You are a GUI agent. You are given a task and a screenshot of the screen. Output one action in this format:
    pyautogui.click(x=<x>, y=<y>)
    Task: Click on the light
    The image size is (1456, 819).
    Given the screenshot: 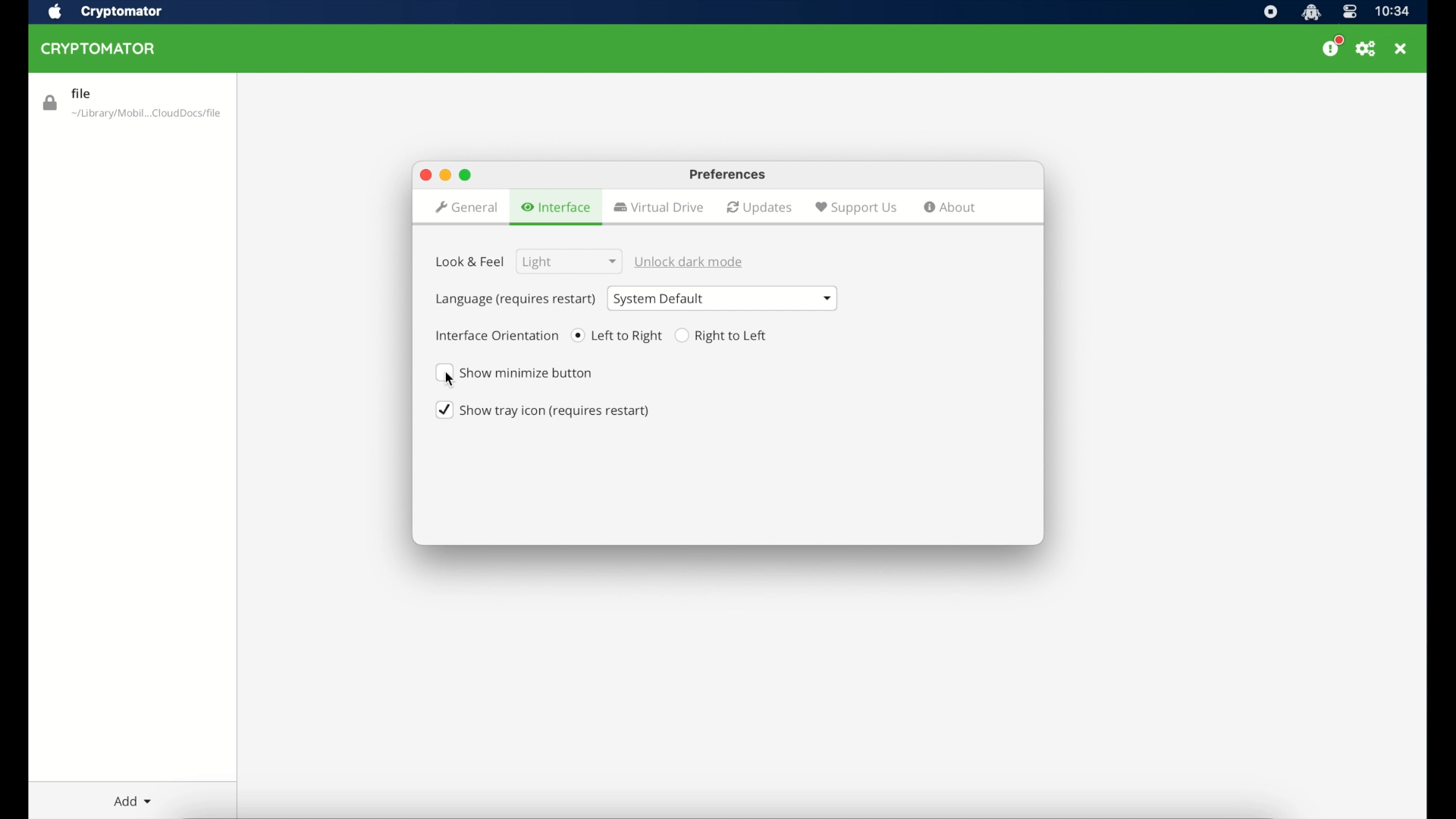 What is the action you would take?
    pyautogui.click(x=566, y=262)
    